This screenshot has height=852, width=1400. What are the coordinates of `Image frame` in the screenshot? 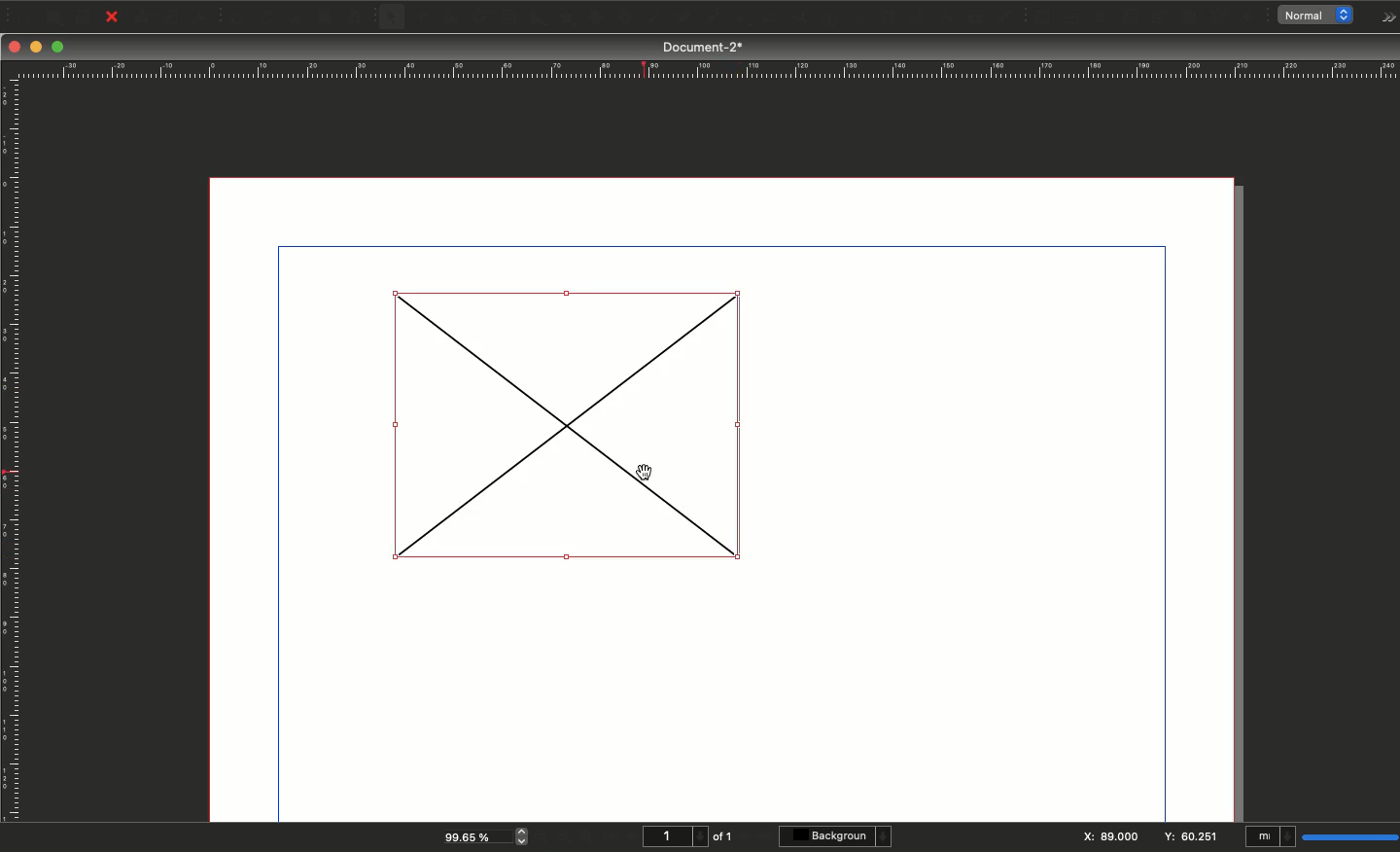 It's located at (453, 19).